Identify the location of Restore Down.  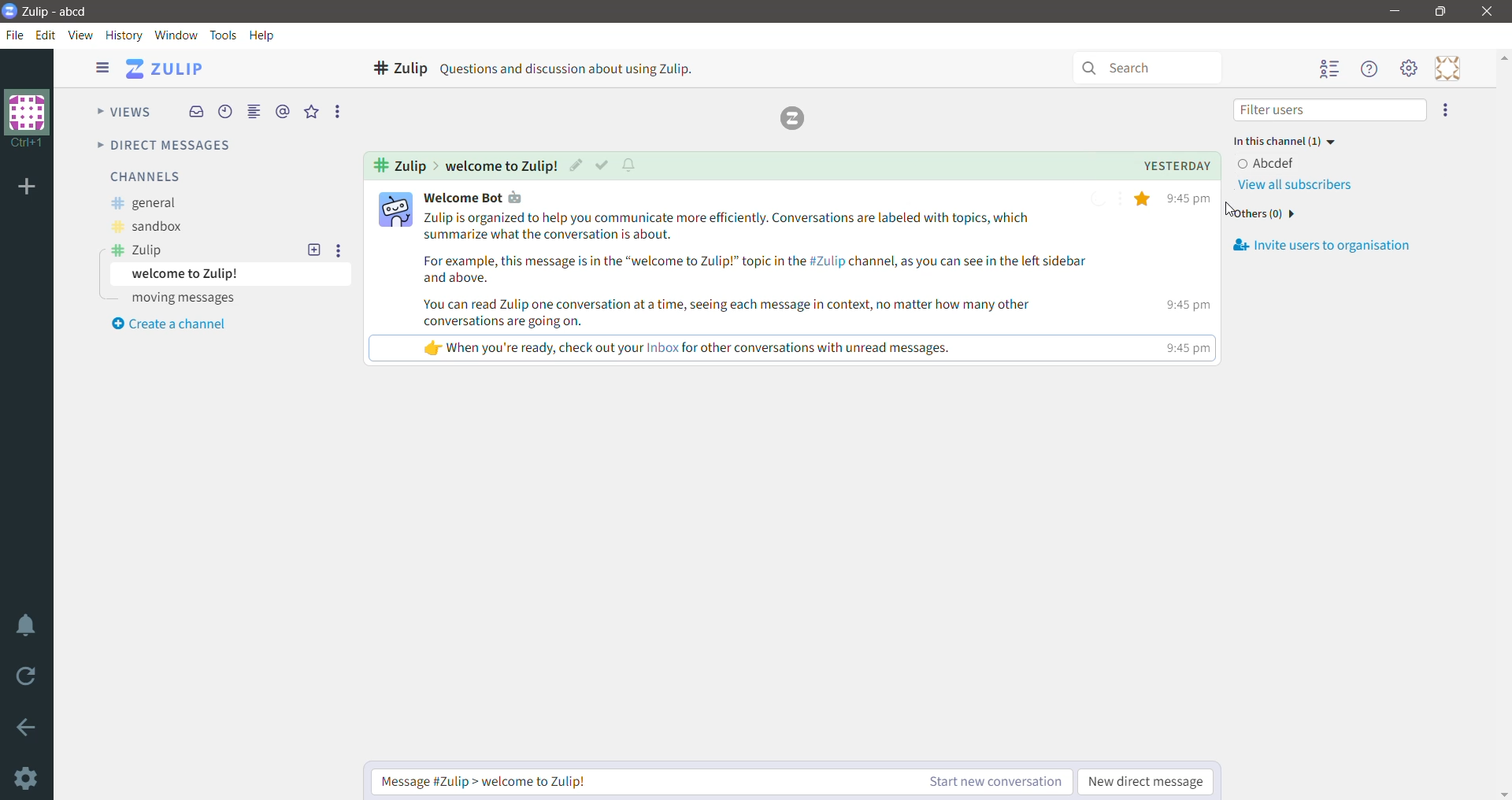
(1443, 12).